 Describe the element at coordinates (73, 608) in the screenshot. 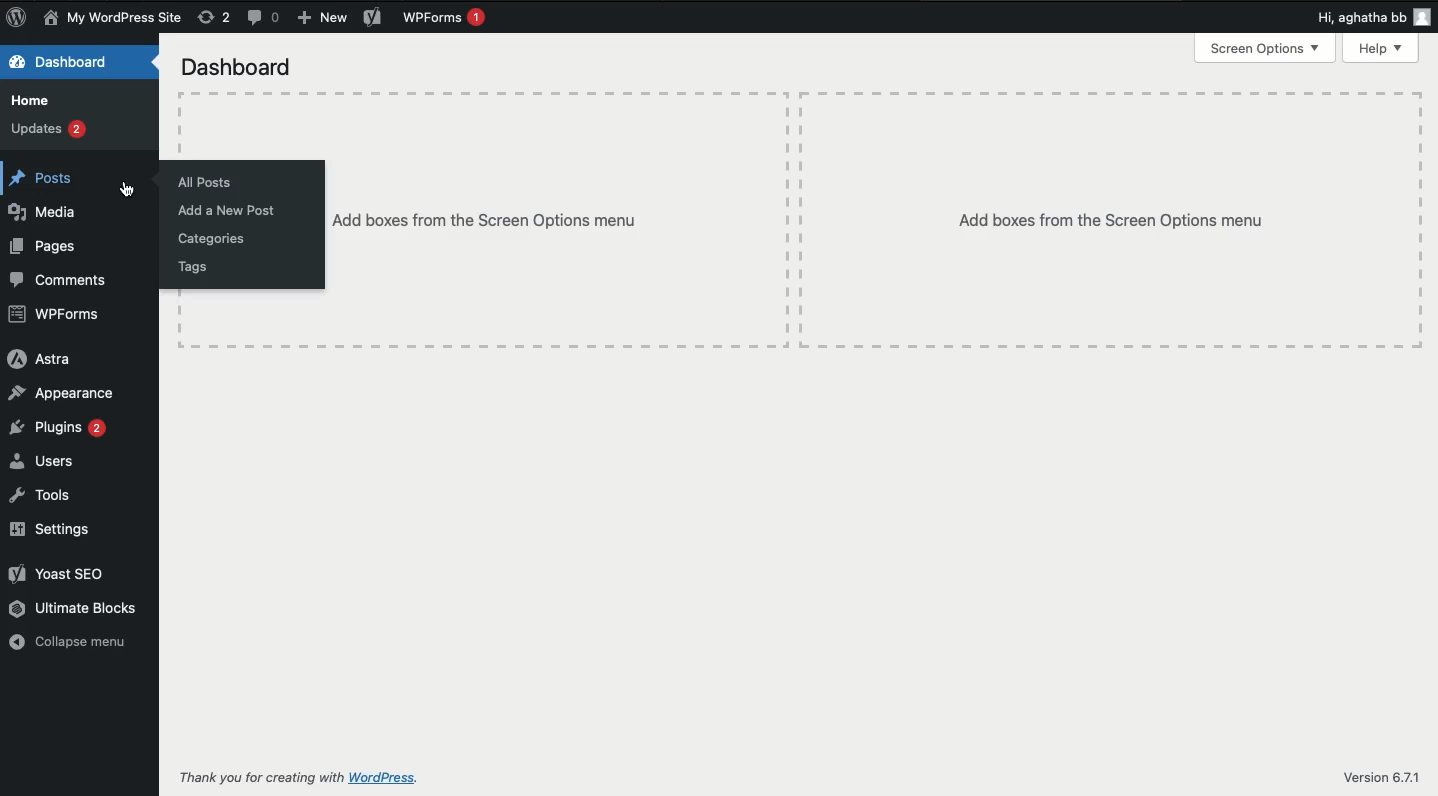

I see `Ultimate blocks` at that location.